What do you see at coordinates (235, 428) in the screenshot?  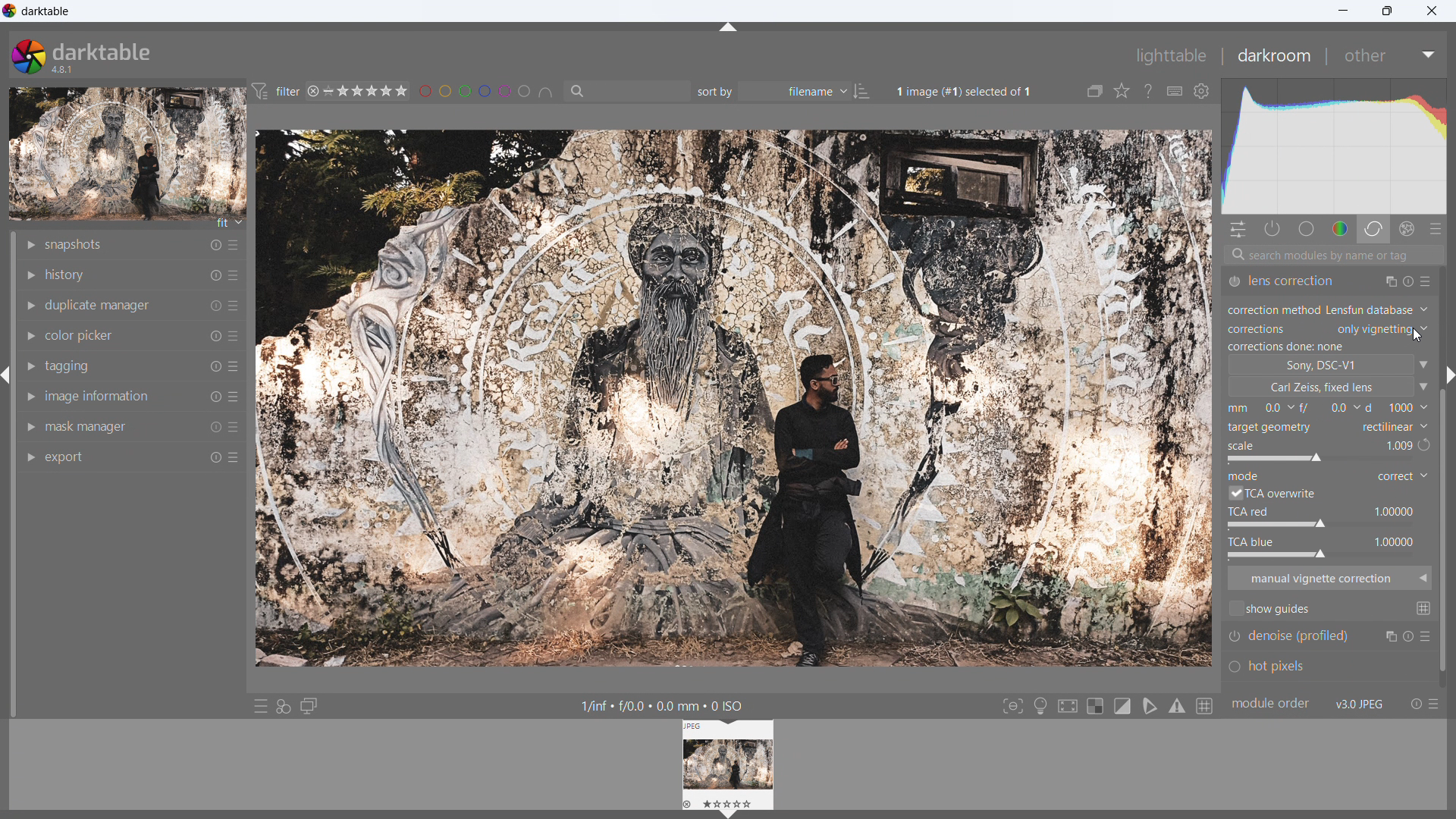 I see `more options` at bounding box center [235, 428].